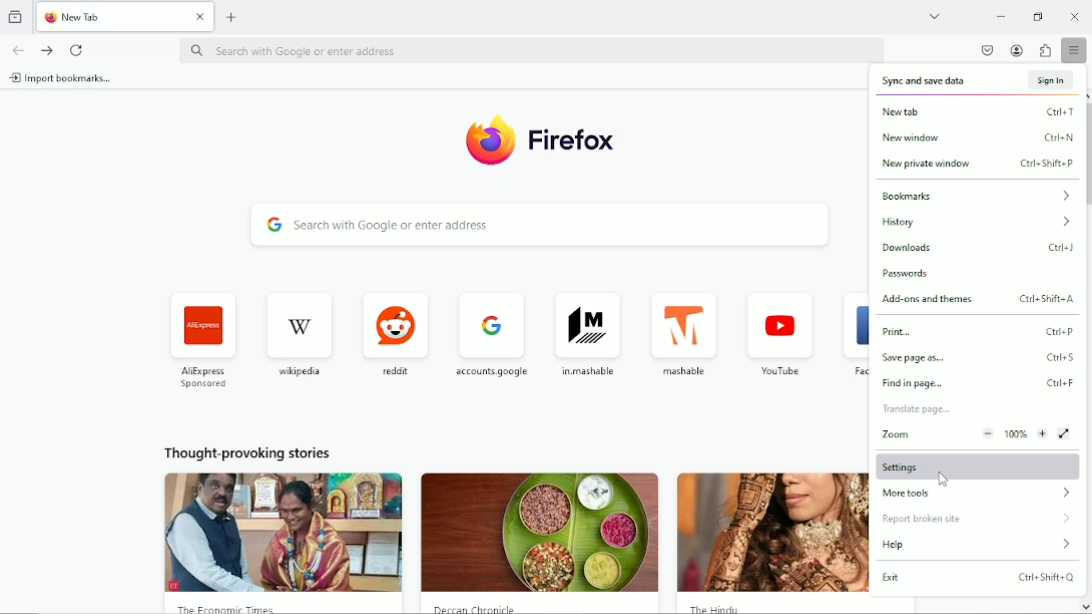  I want to click on new tab, so click(232, 15).